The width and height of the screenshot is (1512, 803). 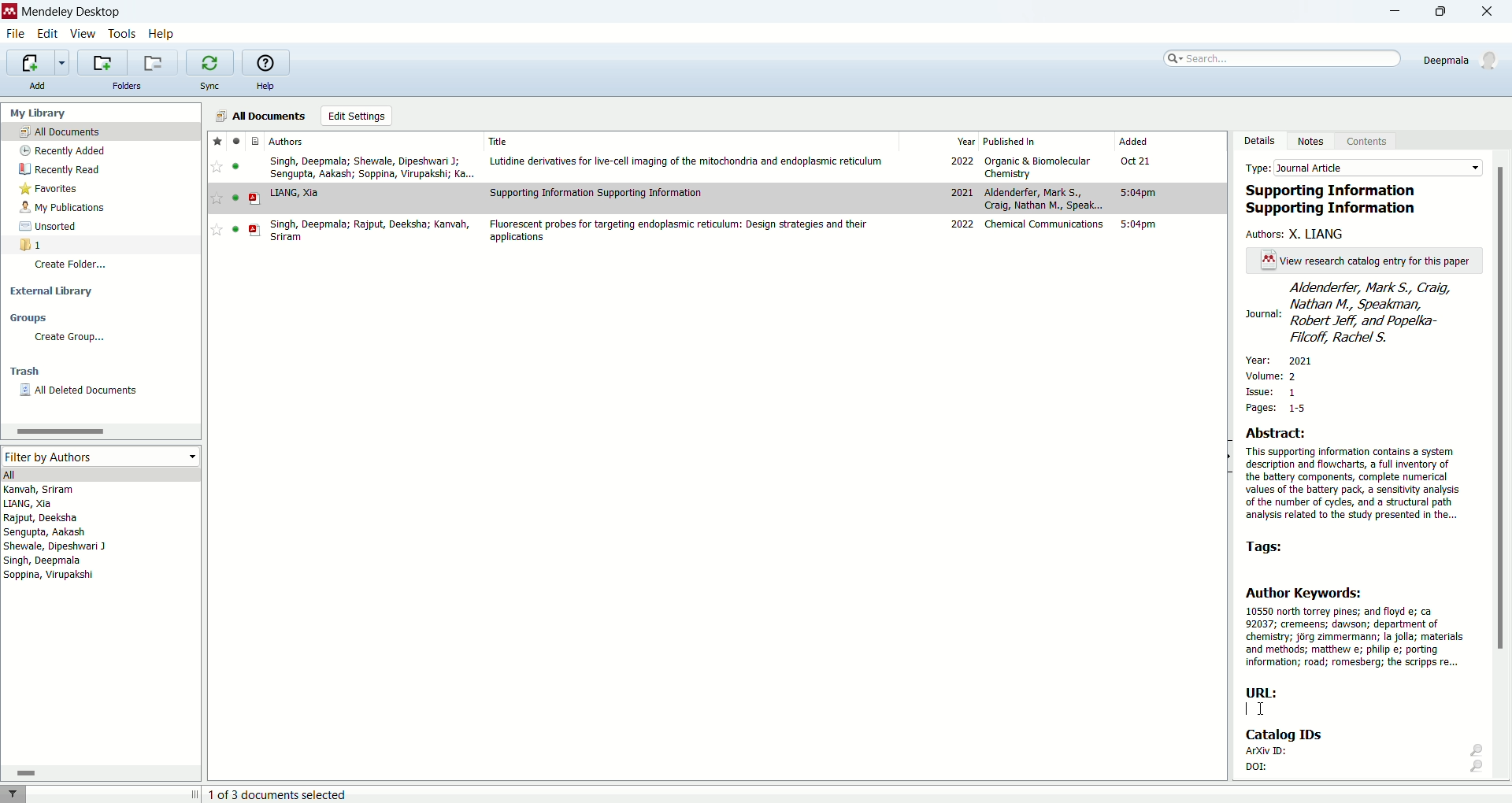 What do you see at coordinates (1136, 160) in the screenshot?
I see `Oct 21` at bounding box center [1136, 160].